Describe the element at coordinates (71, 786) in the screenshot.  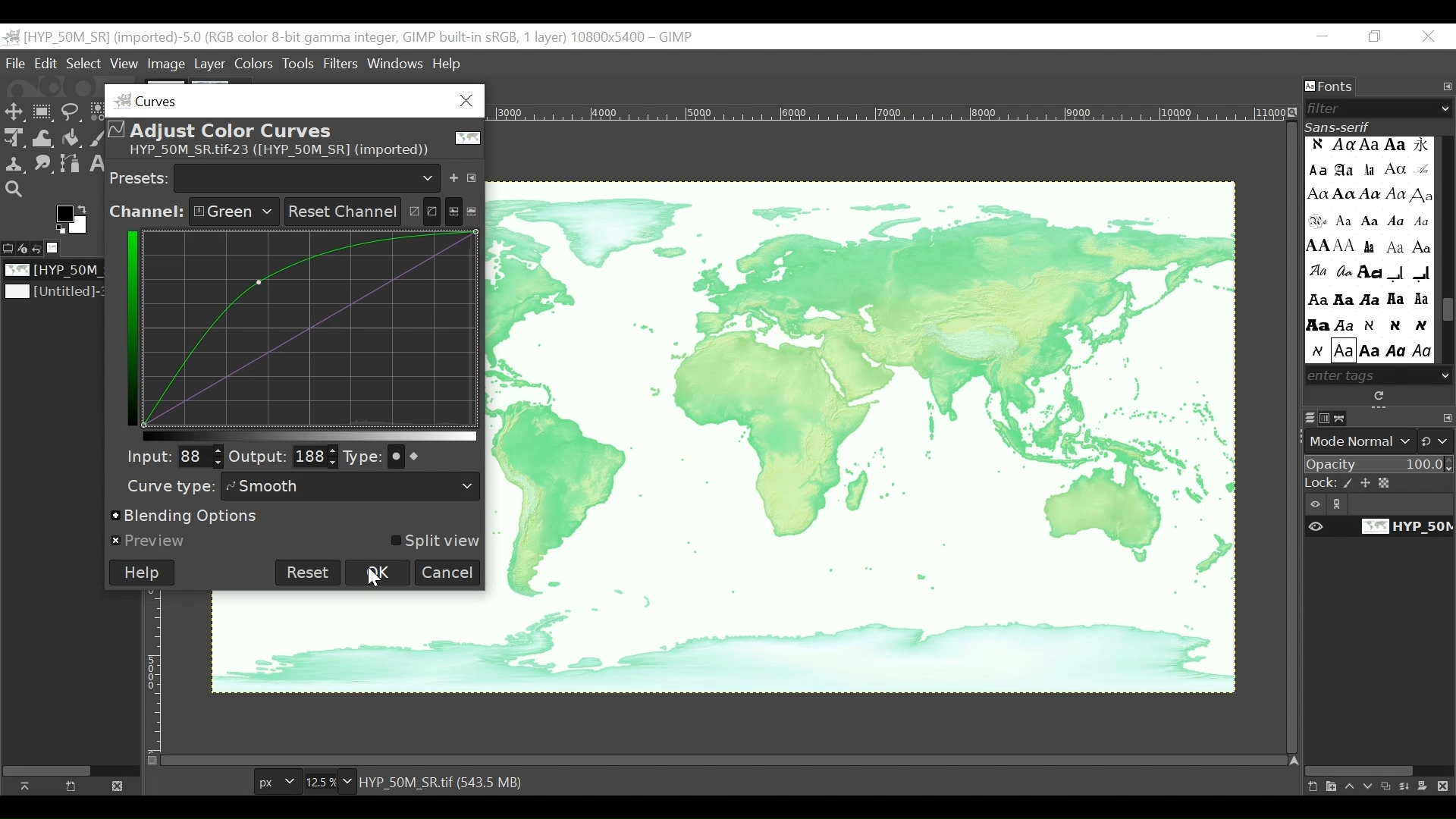
I see `Create a new display` at that location.